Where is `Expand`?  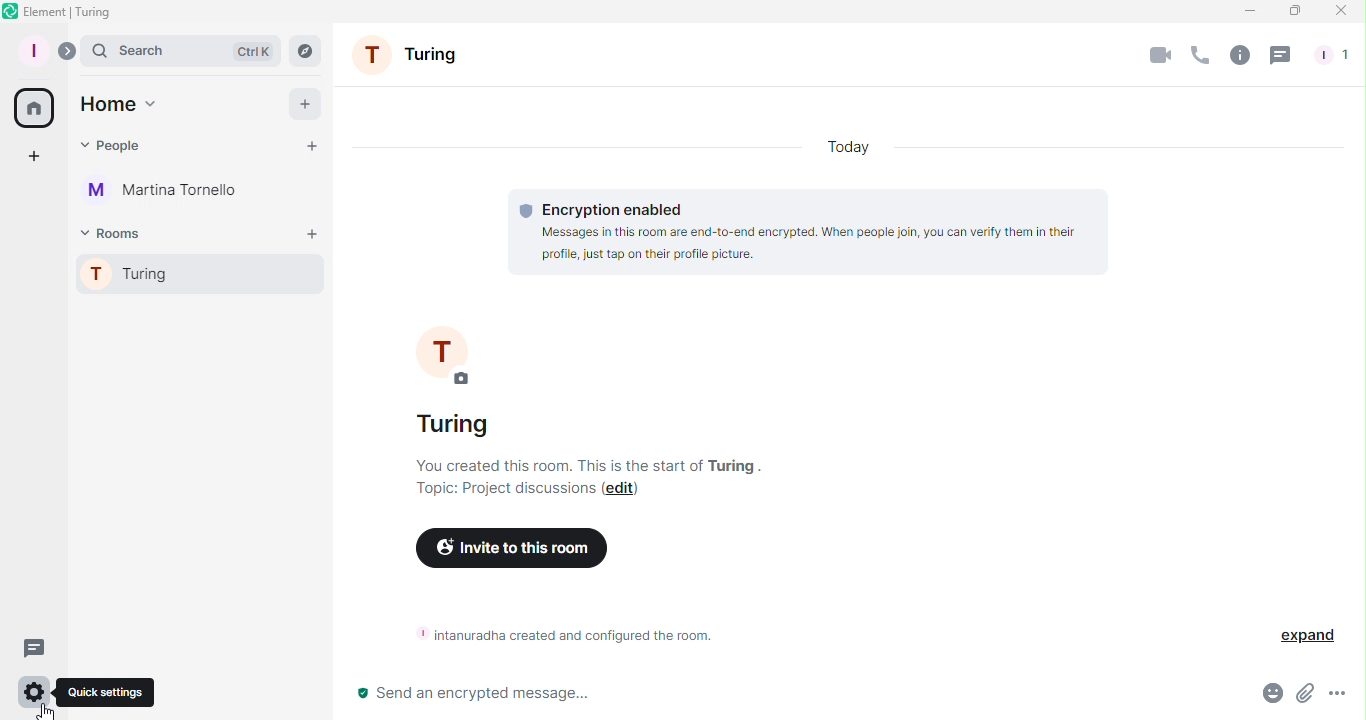
Expand is located at coordinates (1308, 636).